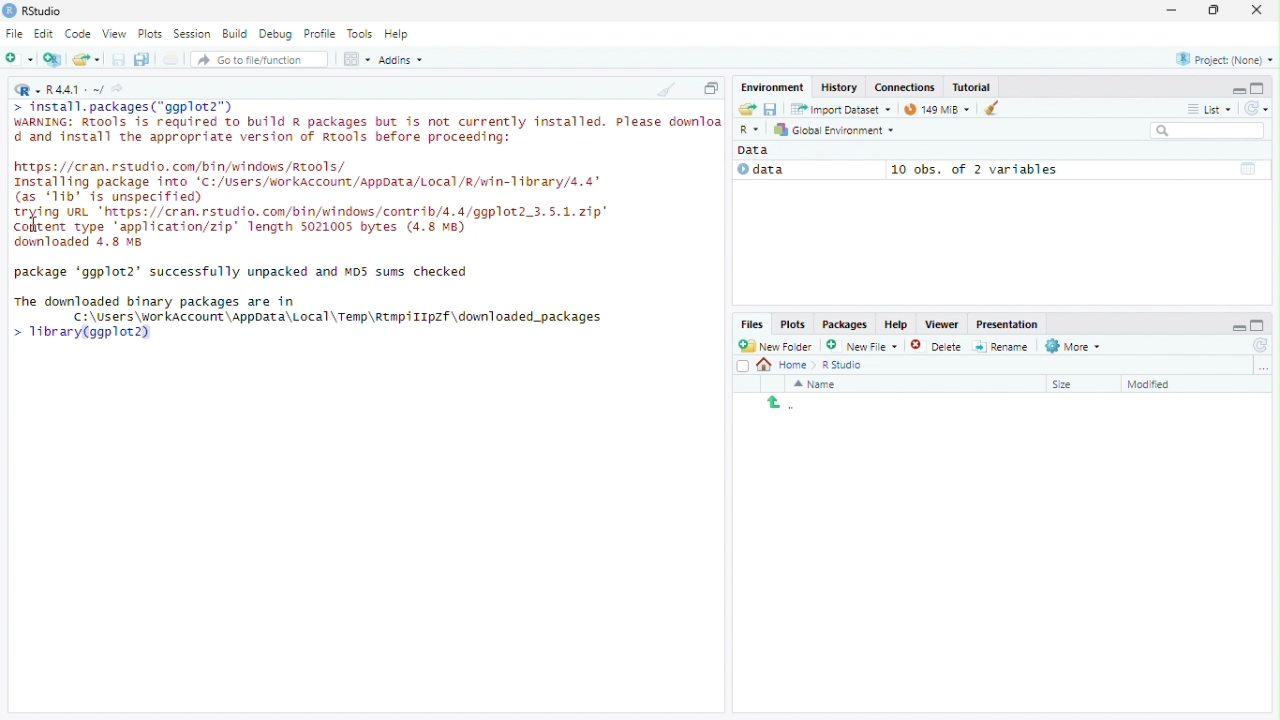  What do you see at coordinates (743, 365) in the screenshot?
I see `Select all` at bounding box center [743, 365].